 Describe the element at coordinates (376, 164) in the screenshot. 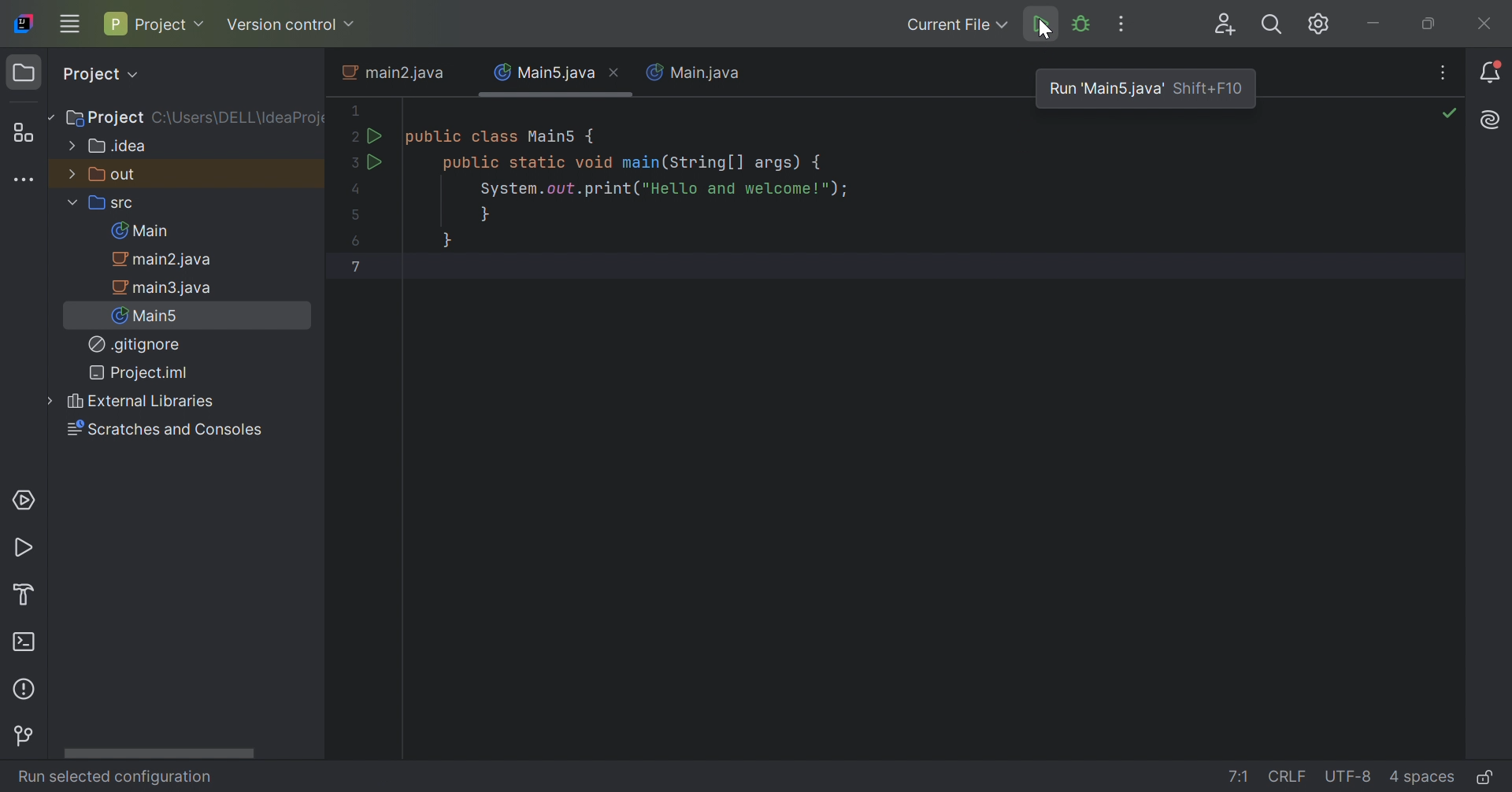

I see `Run` at that location.